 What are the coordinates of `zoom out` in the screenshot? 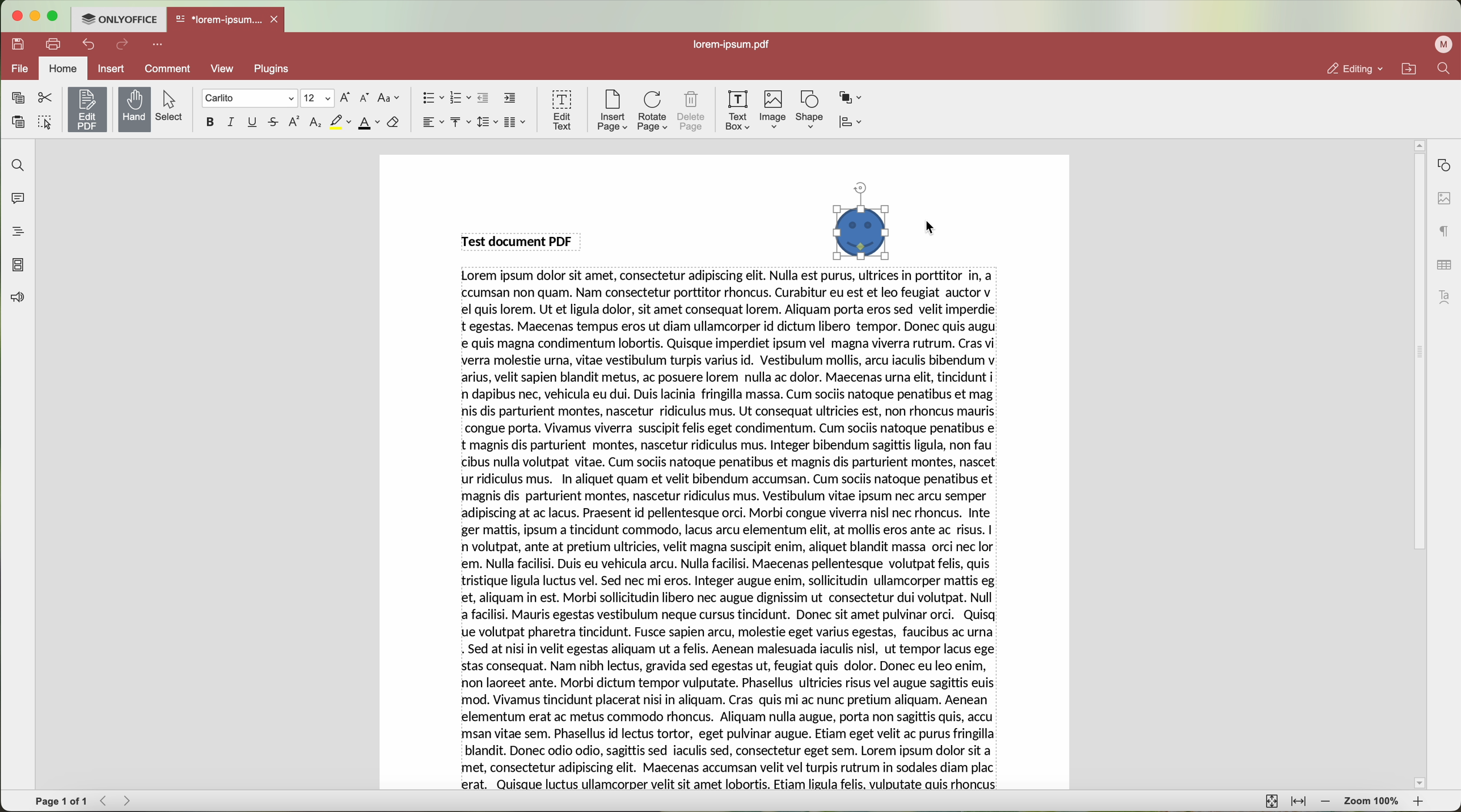 It's located at (1328, 803).